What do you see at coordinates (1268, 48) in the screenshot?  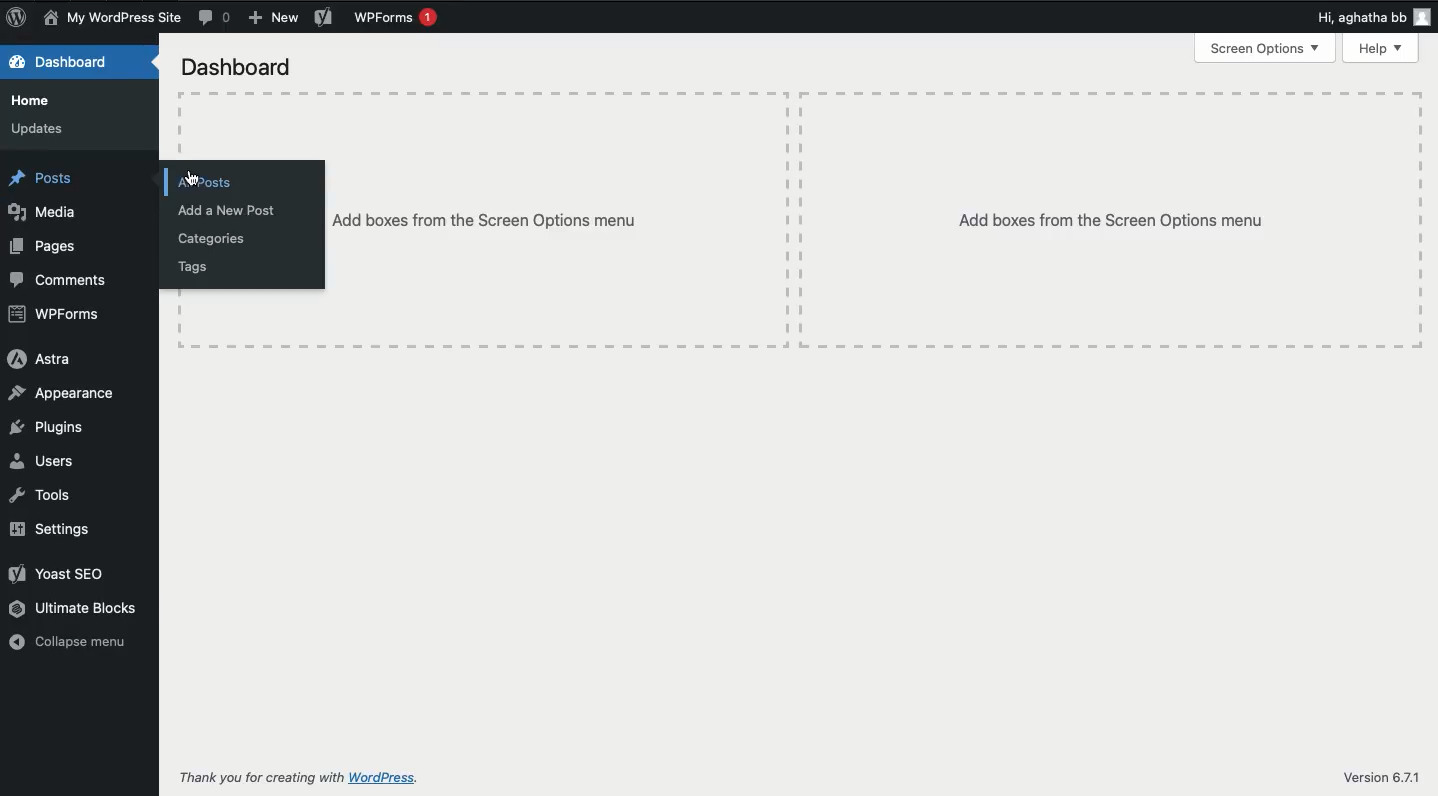 I see `Screen options` at bounding box center [1268, 48].